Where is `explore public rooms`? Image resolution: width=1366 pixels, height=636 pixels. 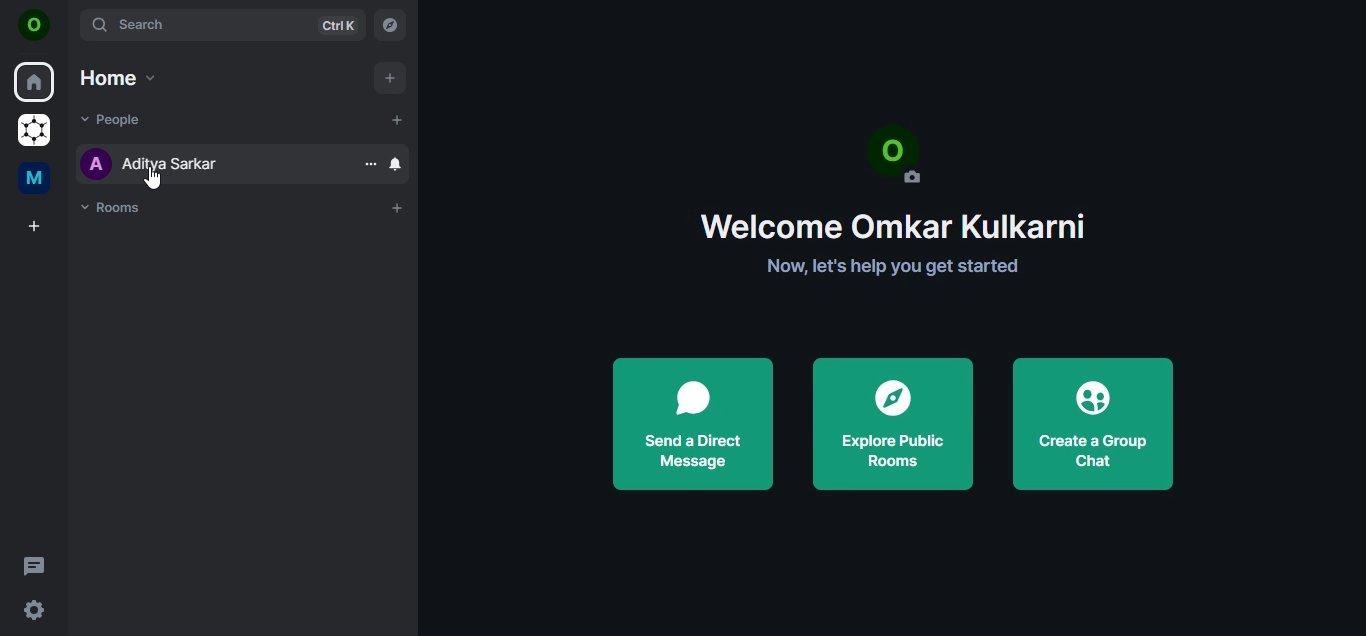 explore public rooms is located at coordinates (892, 420).